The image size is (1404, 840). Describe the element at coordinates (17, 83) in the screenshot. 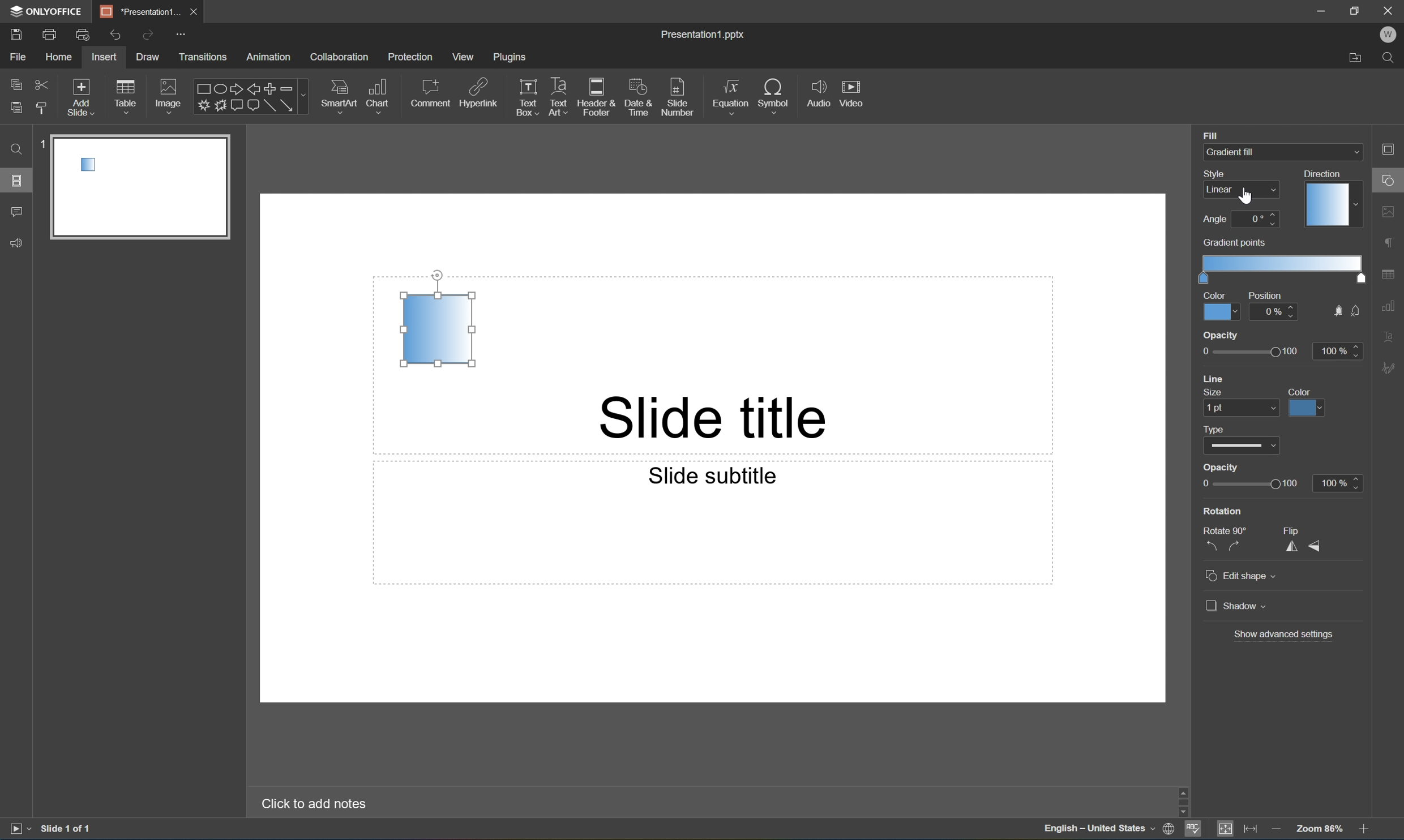

I see `Copy` at that location.